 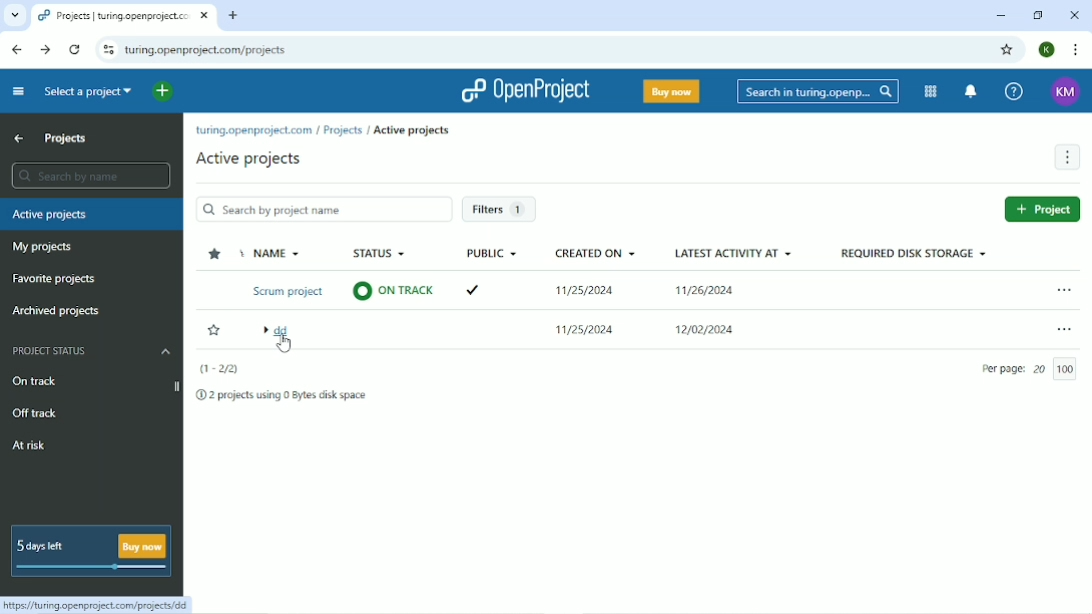 I want to click on turing.openproject.com, so click(x=253, y=131).